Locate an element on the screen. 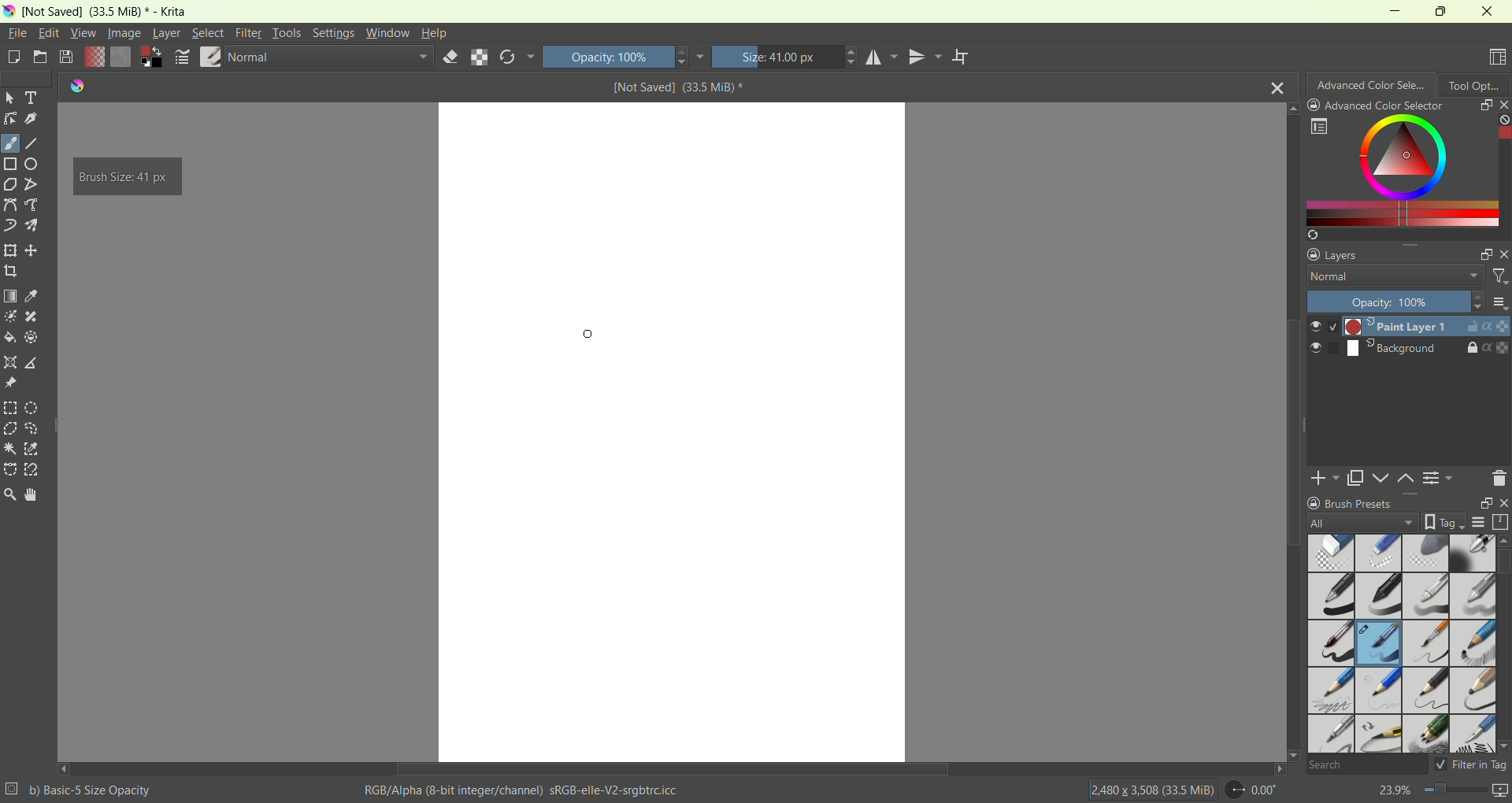 This screenshot has width=1512, height=803. storage is located at coordinates (1503, 522).